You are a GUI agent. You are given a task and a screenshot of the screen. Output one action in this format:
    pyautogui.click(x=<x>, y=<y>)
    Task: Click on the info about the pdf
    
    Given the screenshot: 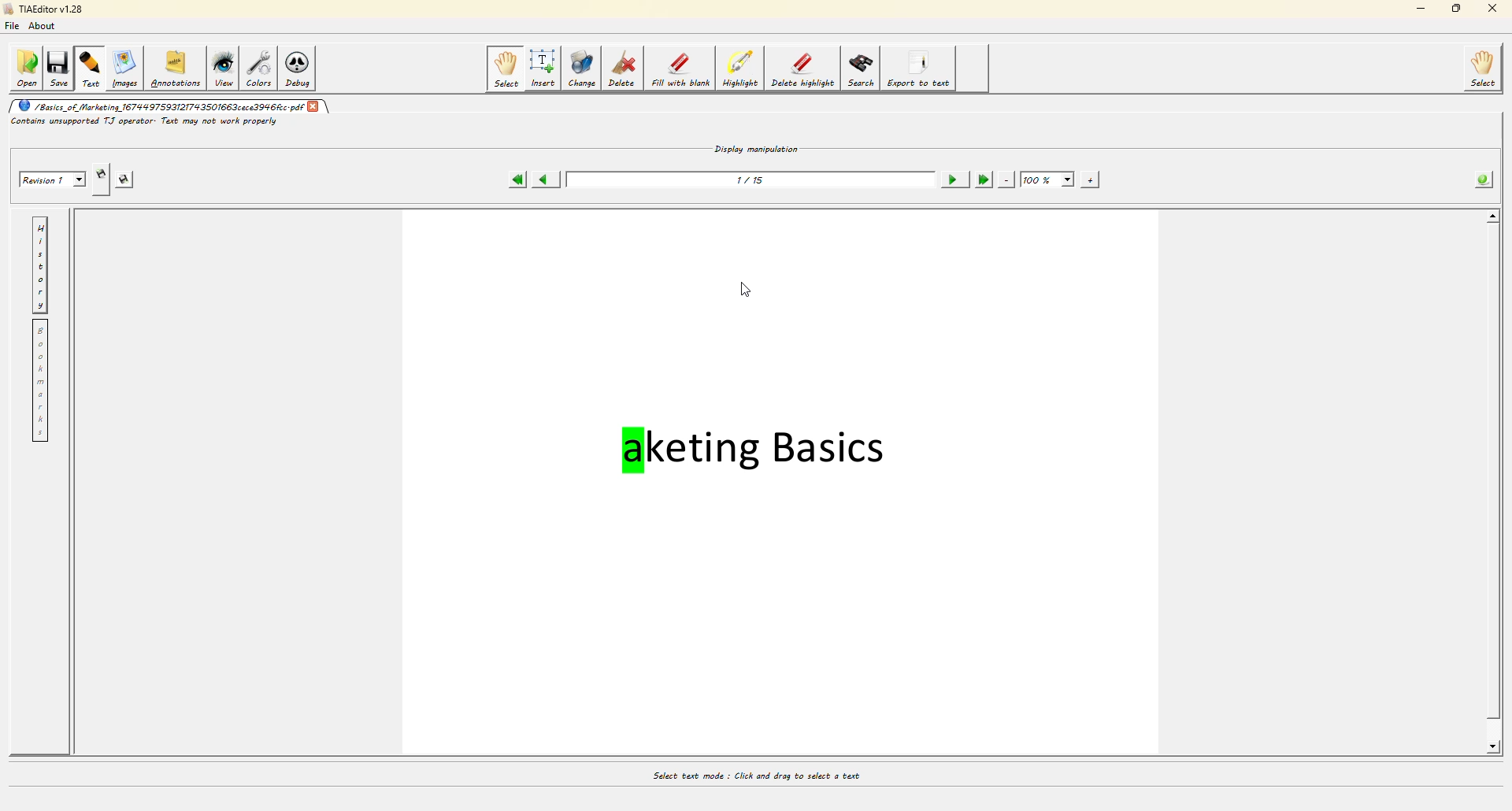 What is the action you would take?
    pyautogui.click(x=1480, y=179)
    